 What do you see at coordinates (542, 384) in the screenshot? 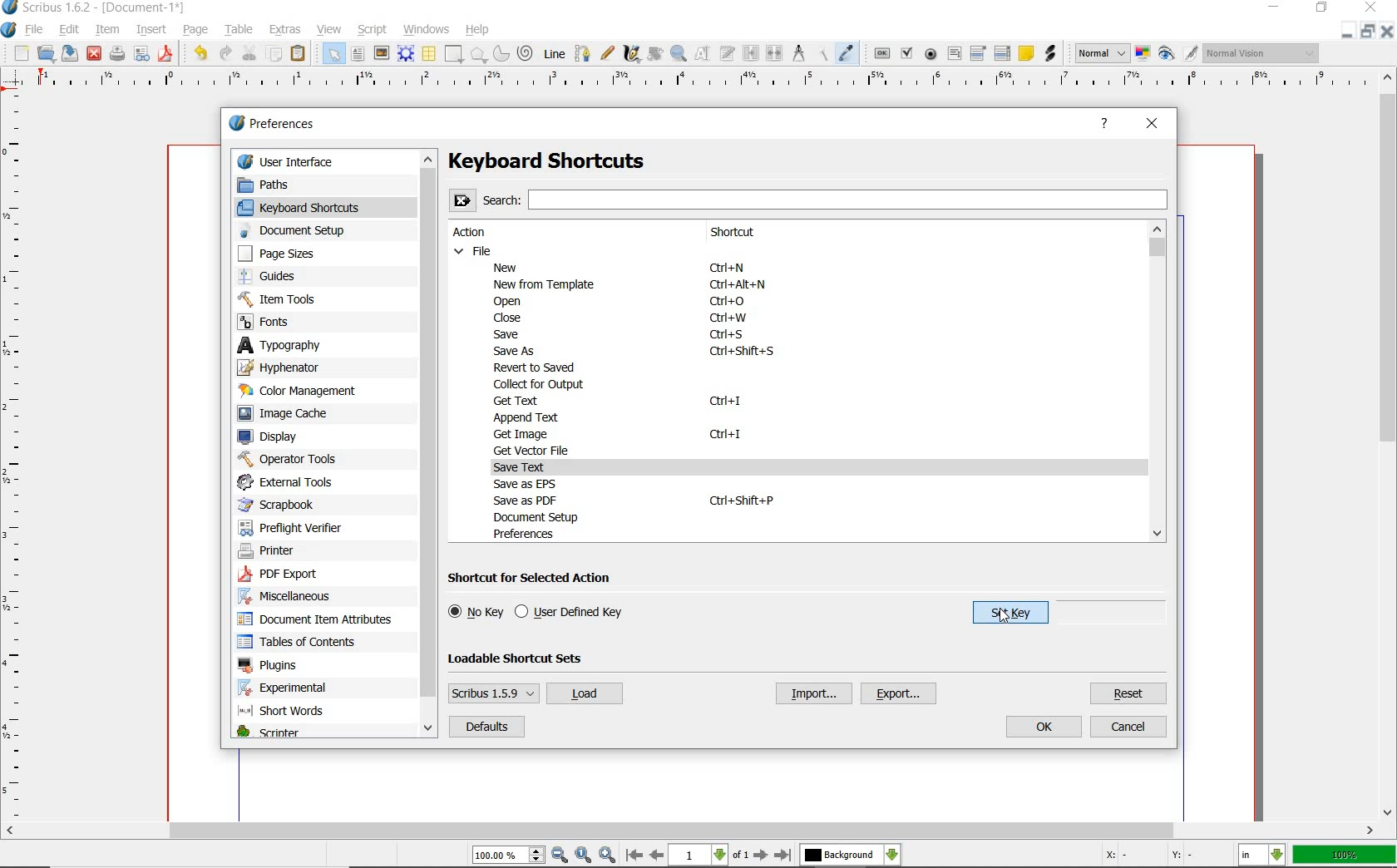
I see `collect for output` at bounding box center [542, 384].